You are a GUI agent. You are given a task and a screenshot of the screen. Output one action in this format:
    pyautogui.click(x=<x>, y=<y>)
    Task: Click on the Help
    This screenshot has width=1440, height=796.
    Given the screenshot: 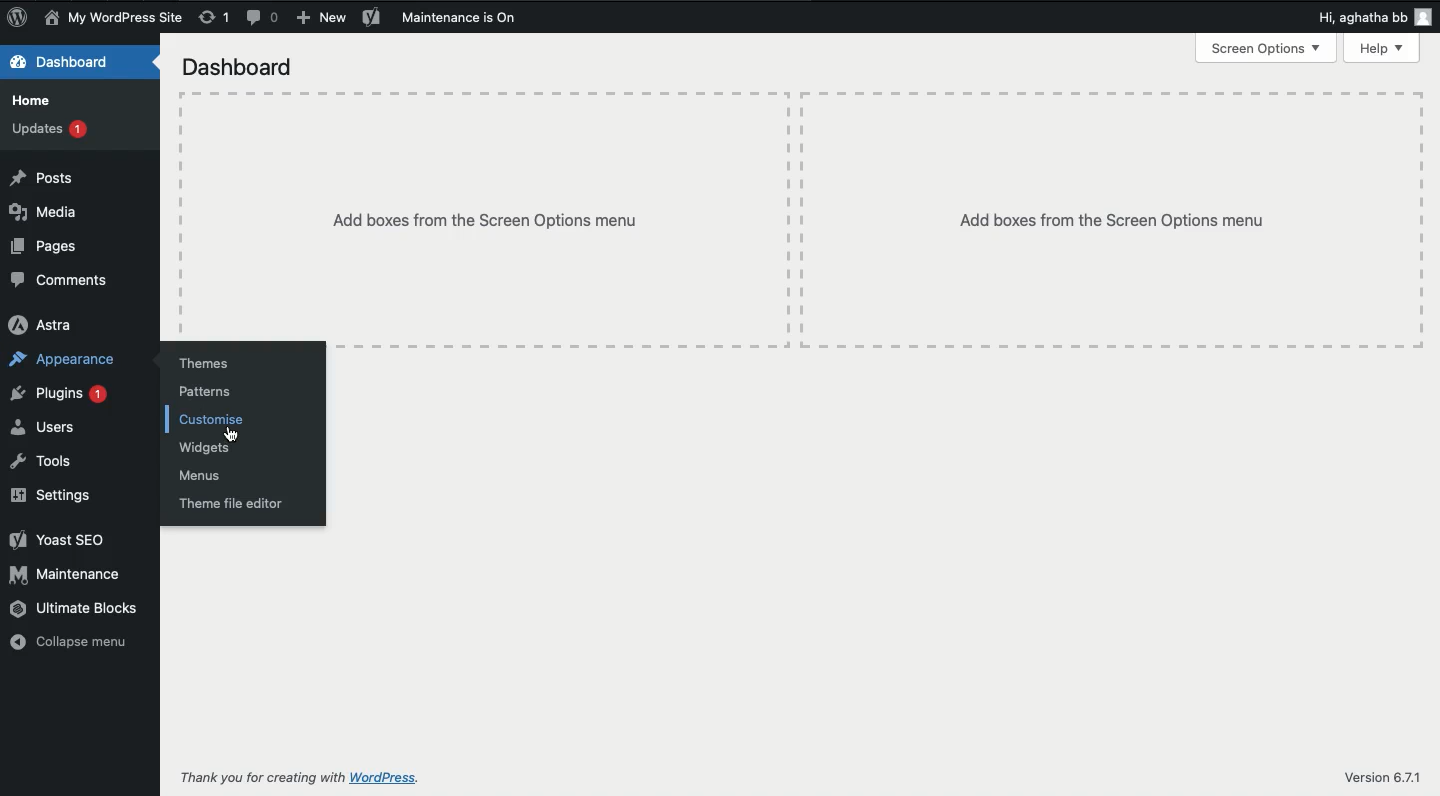 What is the action you would take?
    pyautogui.click(x=1381, y=48)
    